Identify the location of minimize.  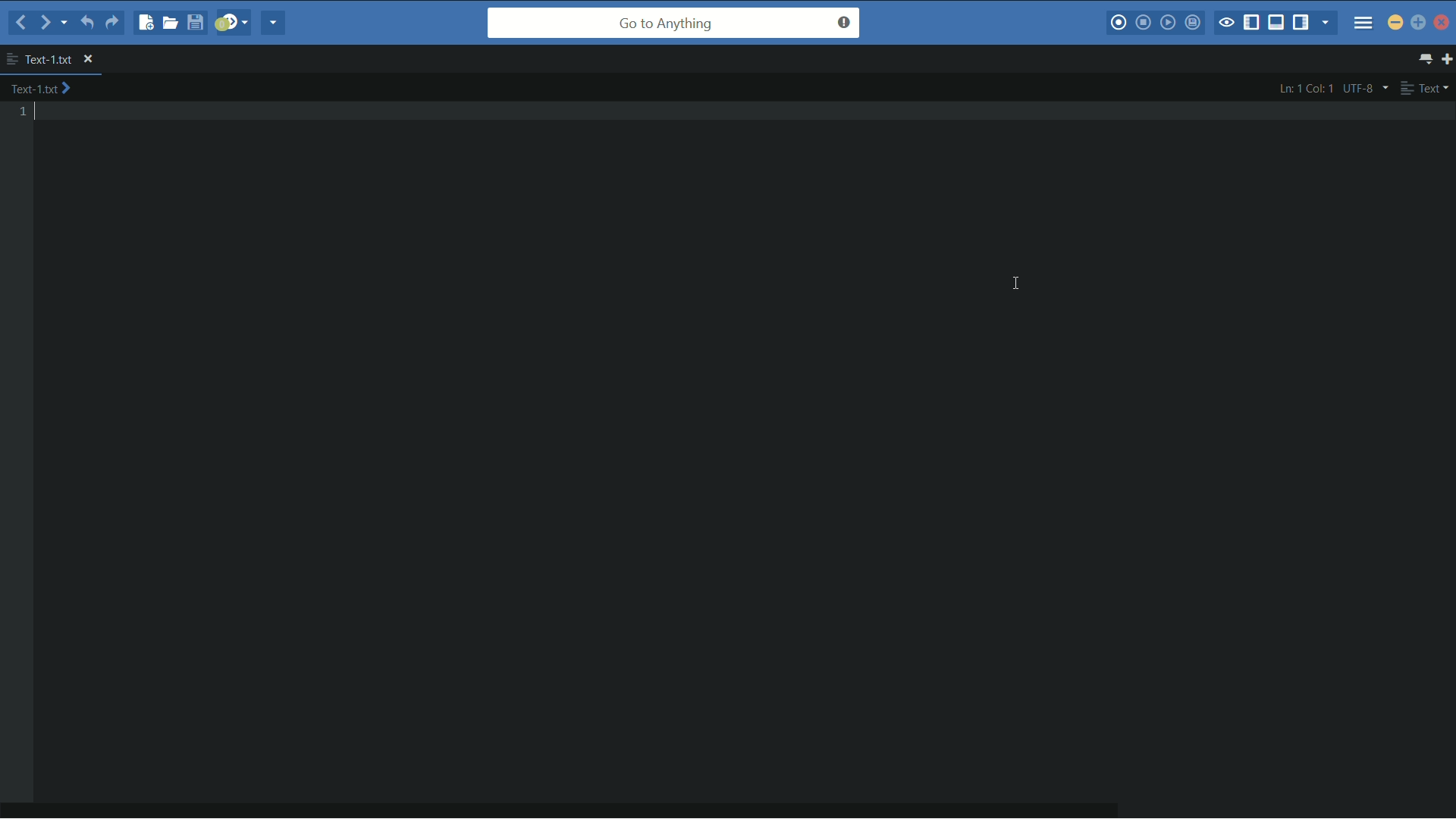
(1396, 24).